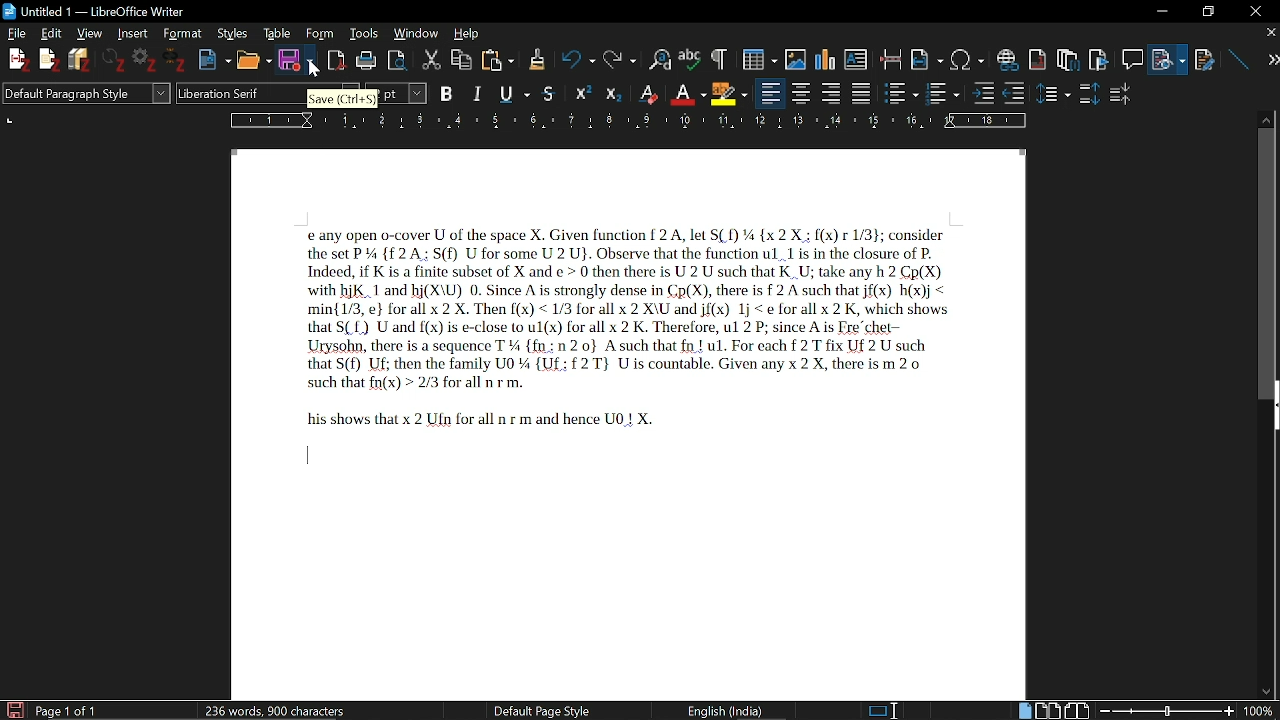 This screenshot has width=1280, height=720. Describe the element at coordinates (319, 33) in the screenshot. I see `Form` at that location.